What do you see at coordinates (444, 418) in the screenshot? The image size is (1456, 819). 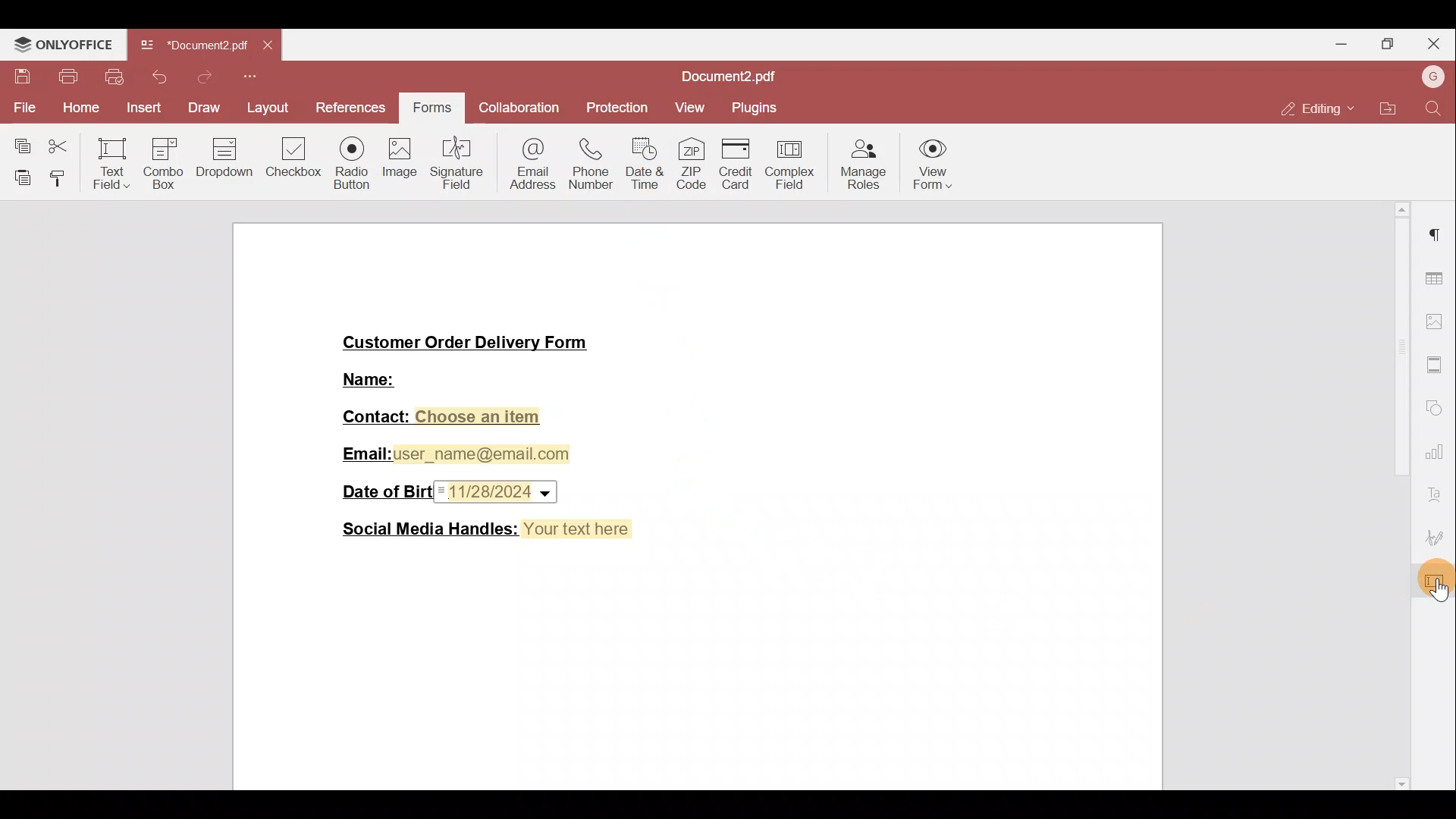 I see `Contact: Choose an item` at bounding box center [444, 418].